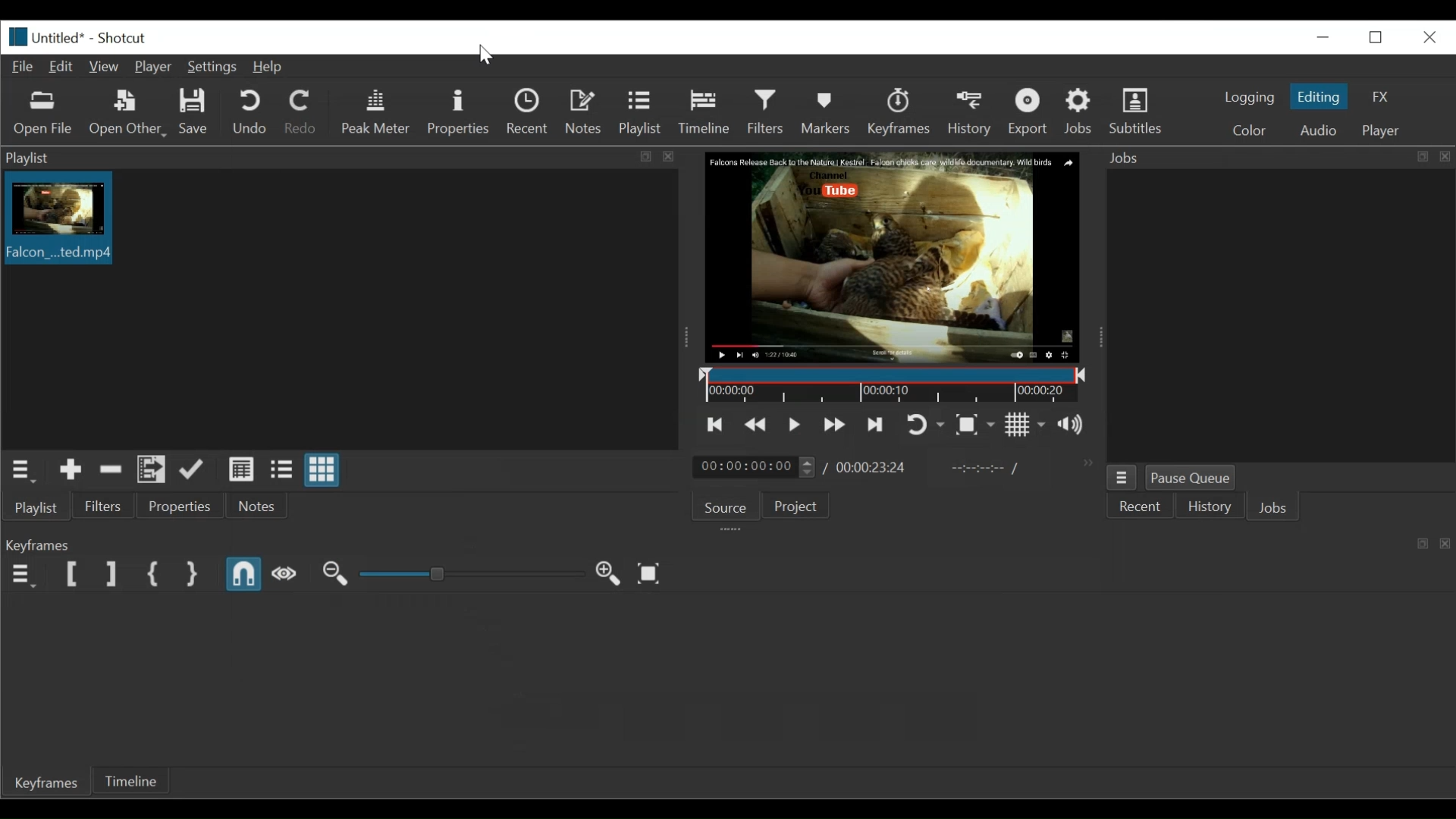 This screenshot has height=819, width=1456. Describe the element at coordinates (268, 67) in the screenshot. I see `Help` at that location.